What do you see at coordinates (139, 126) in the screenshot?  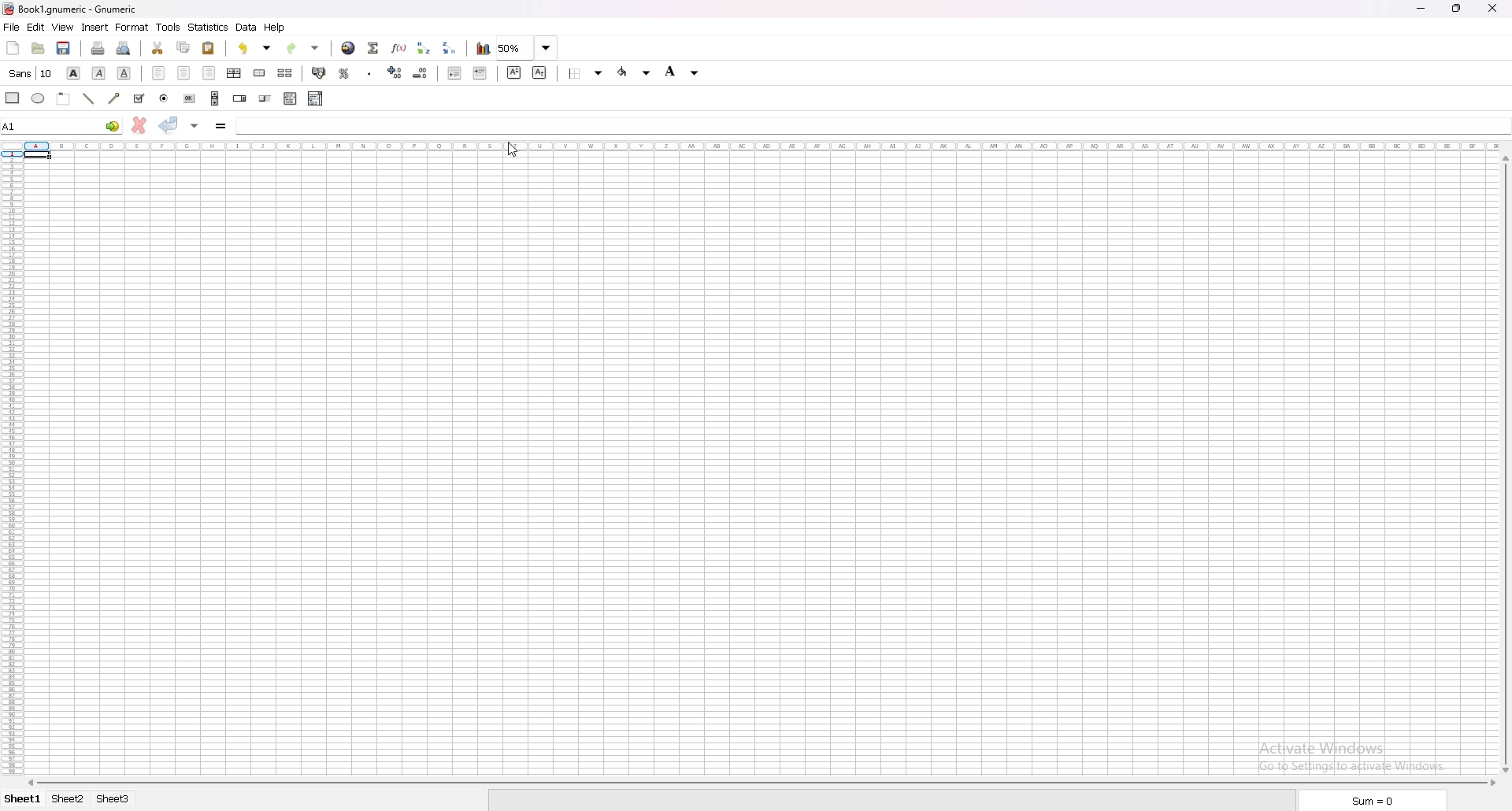 I see `cancel change` at bounding box center [139, 126].